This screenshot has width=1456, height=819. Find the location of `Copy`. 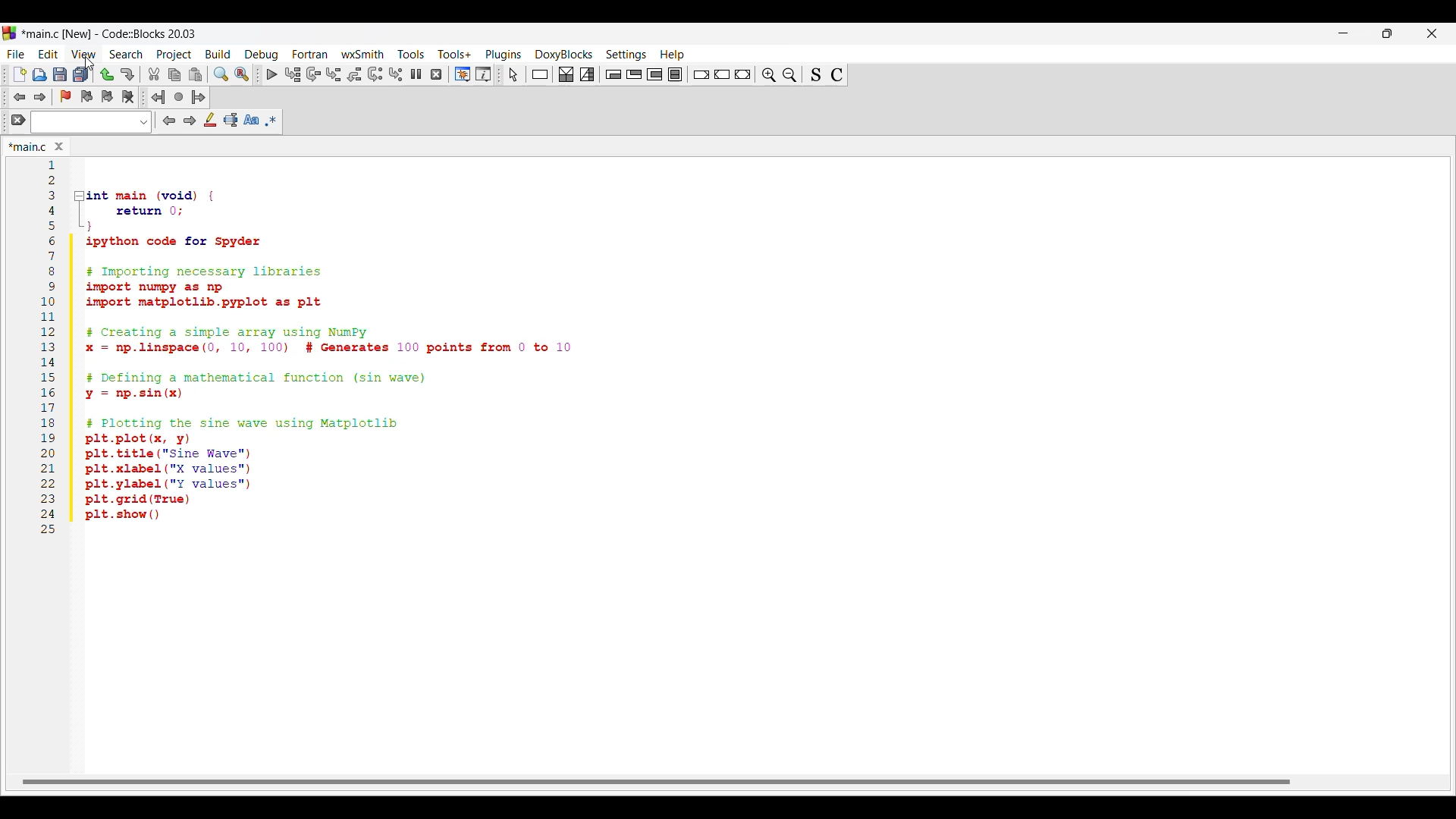

Copy is located at coordinates (175, 75).